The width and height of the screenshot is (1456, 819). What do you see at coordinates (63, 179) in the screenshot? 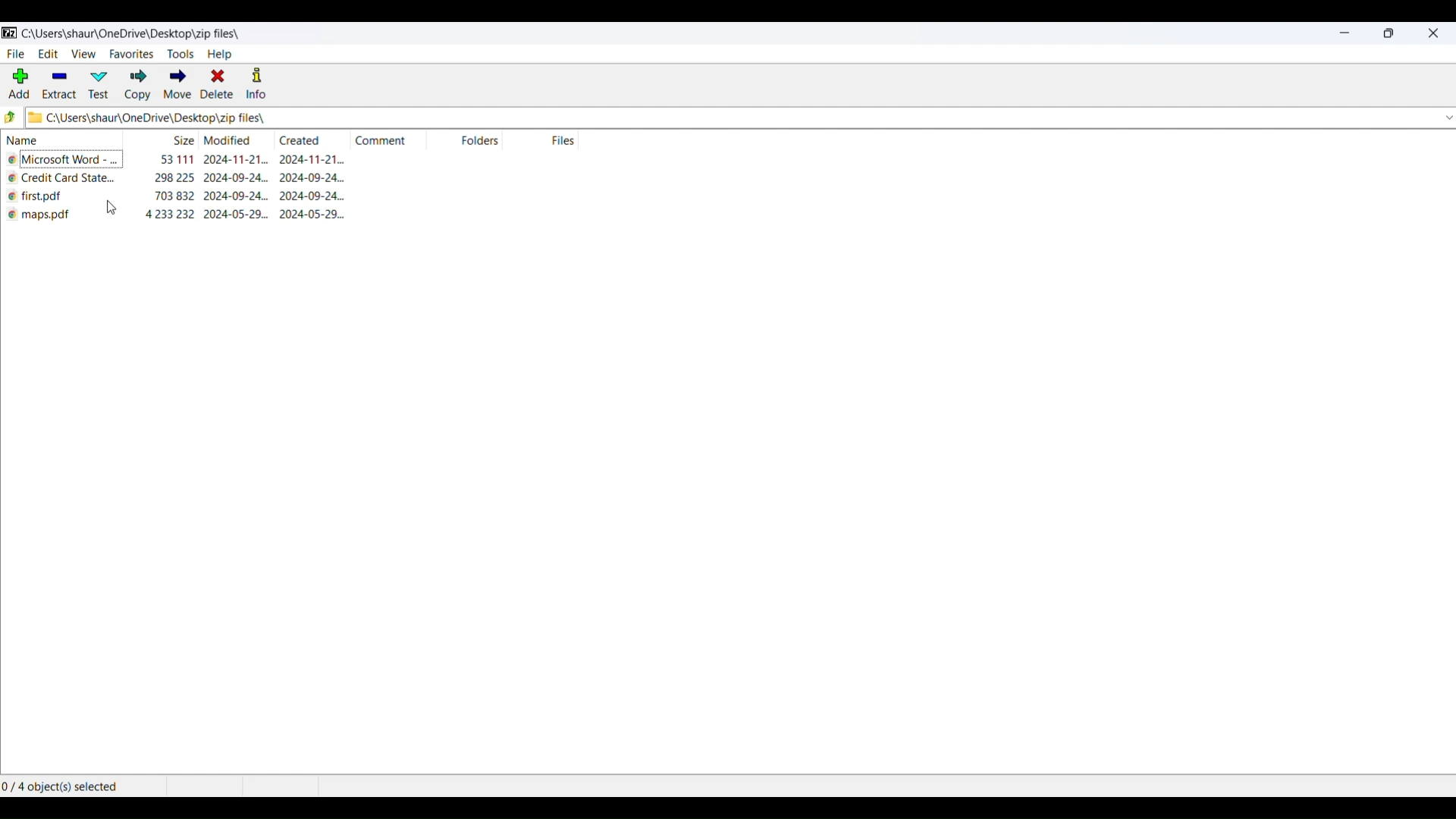
I see `file name` at bounding box center [63, 179].